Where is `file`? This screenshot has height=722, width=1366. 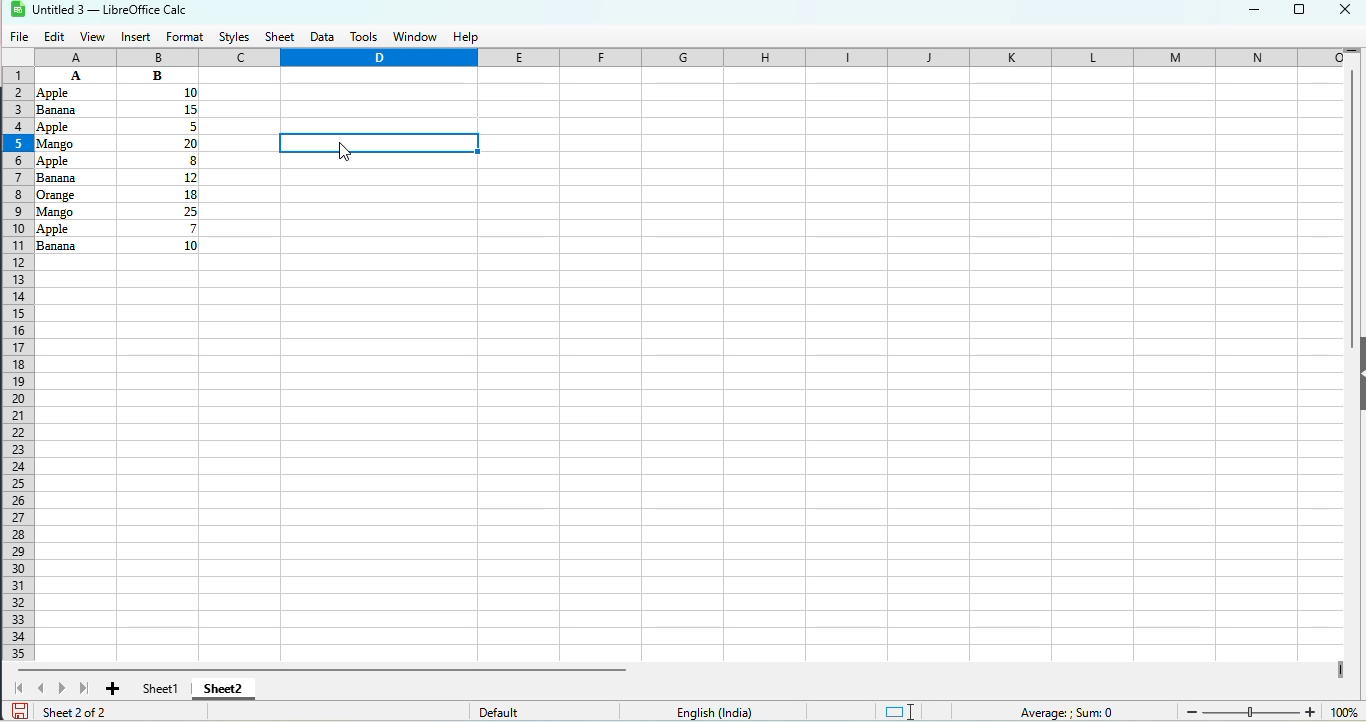 file is located at coordinates (18, 37).